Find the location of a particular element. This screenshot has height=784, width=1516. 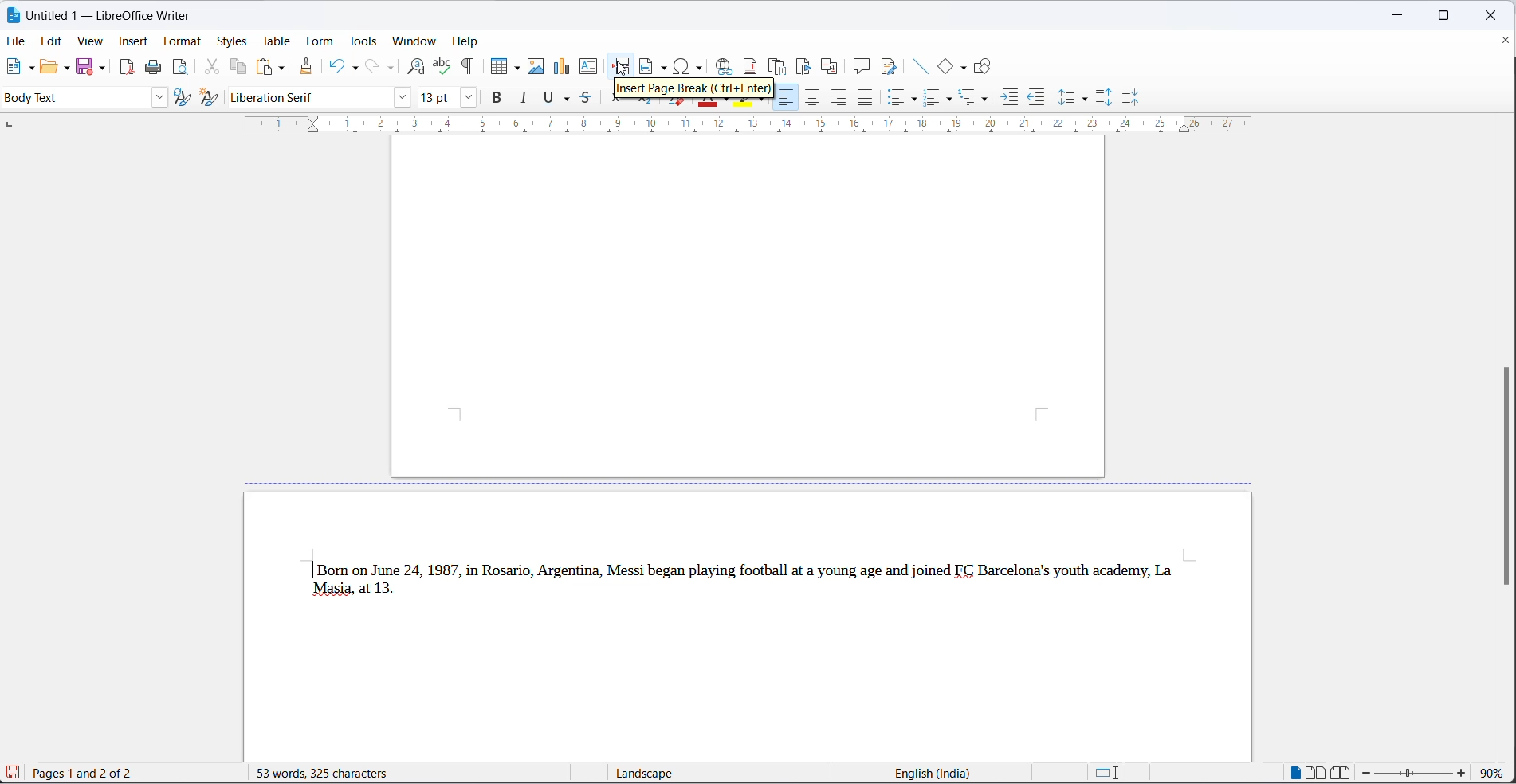

show track changes function is located at coordinates (890, 67).